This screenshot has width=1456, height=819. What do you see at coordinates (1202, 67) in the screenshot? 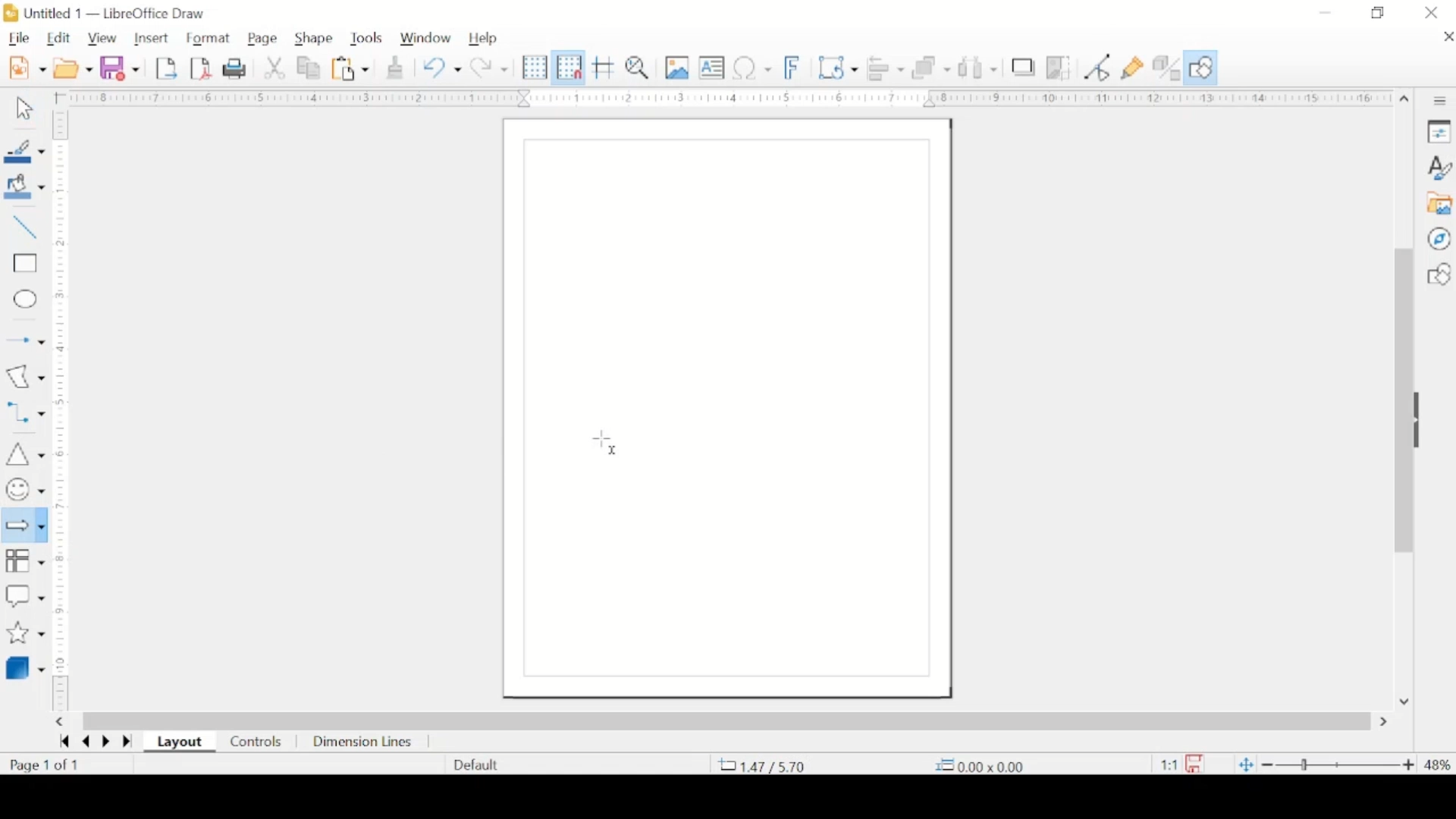
I see `show draw functions` at bounding box center [1202, 67].